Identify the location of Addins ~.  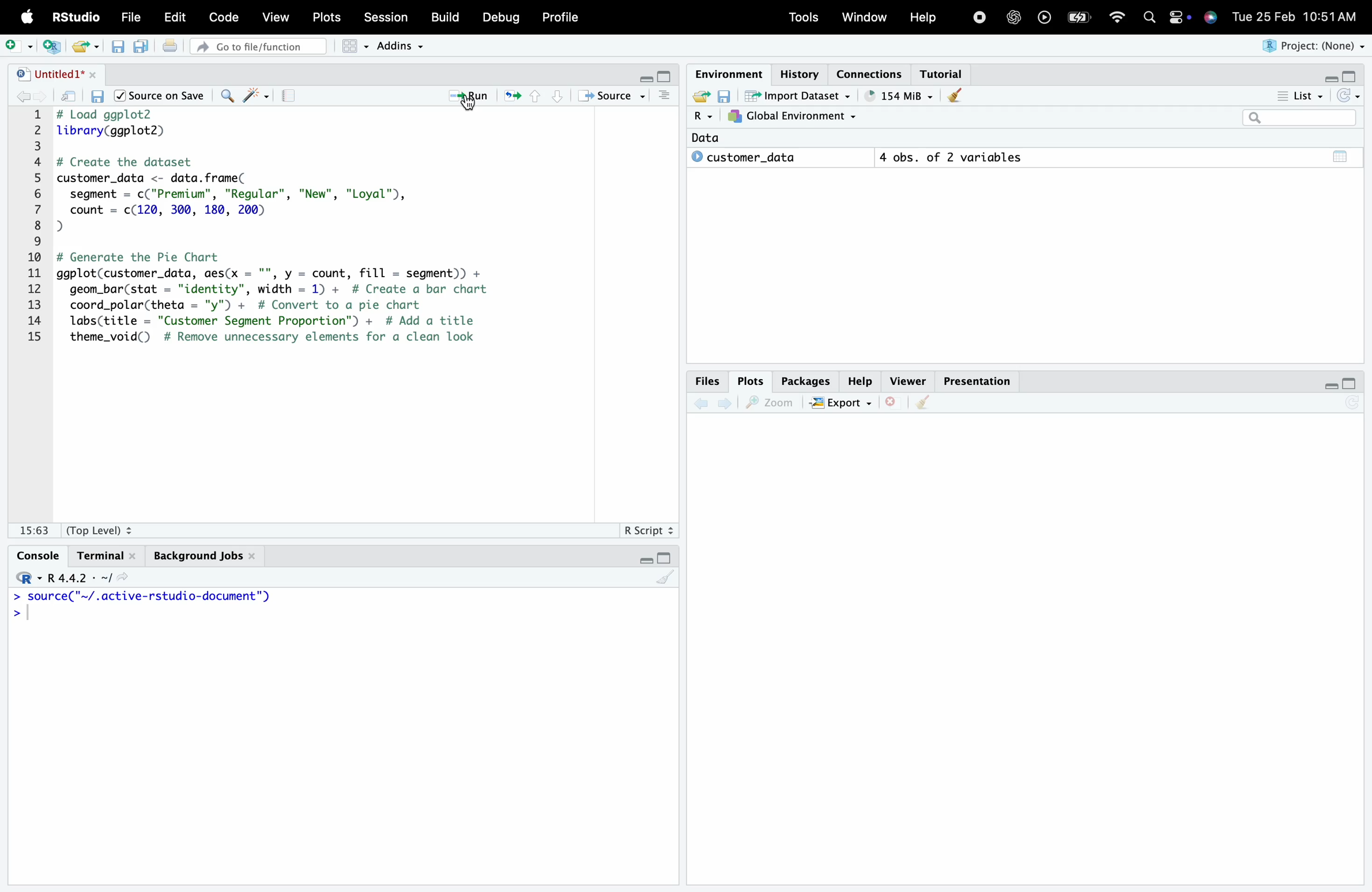
(404, 47).